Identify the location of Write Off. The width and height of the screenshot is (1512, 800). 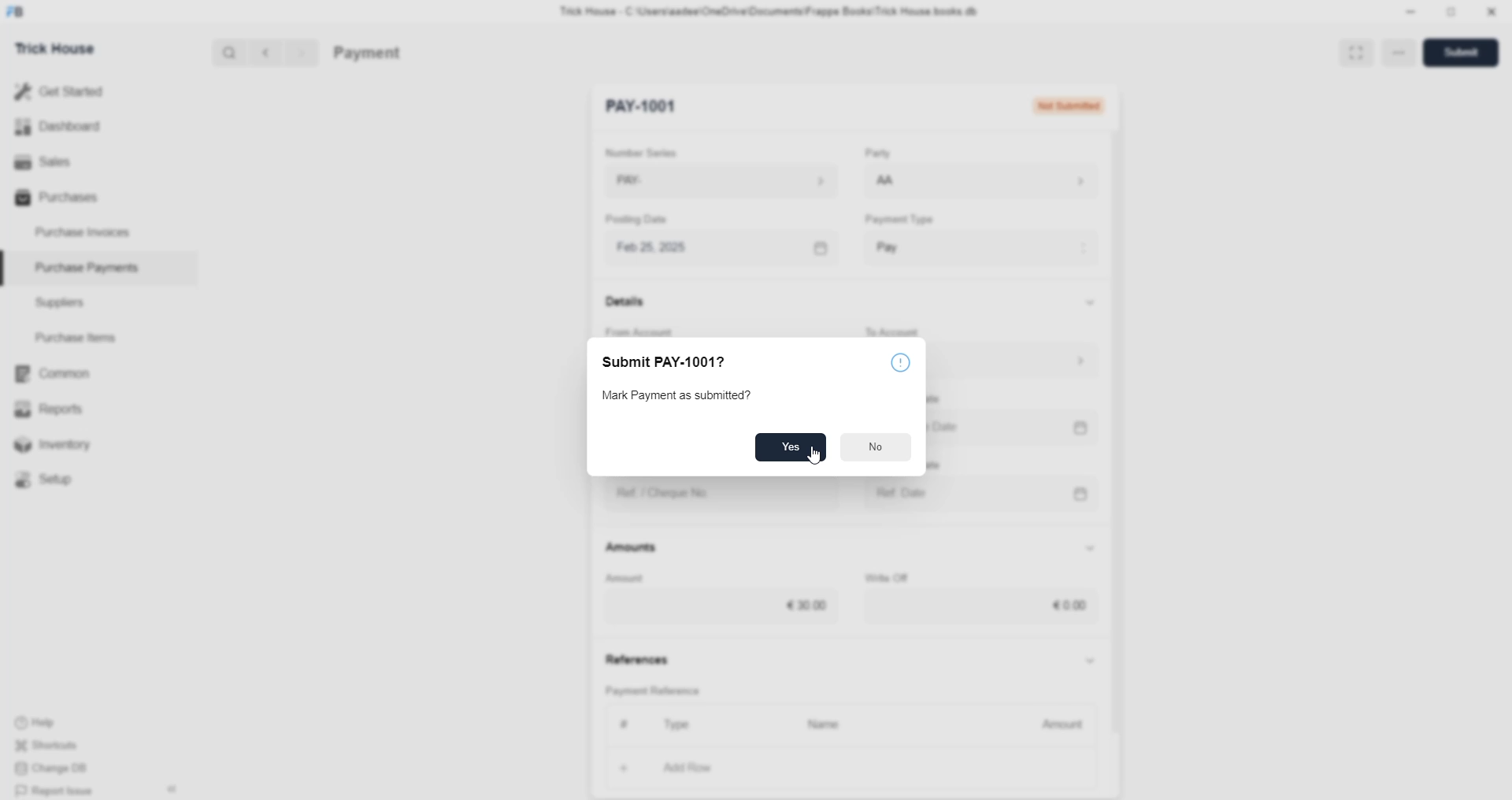
(905, 576).